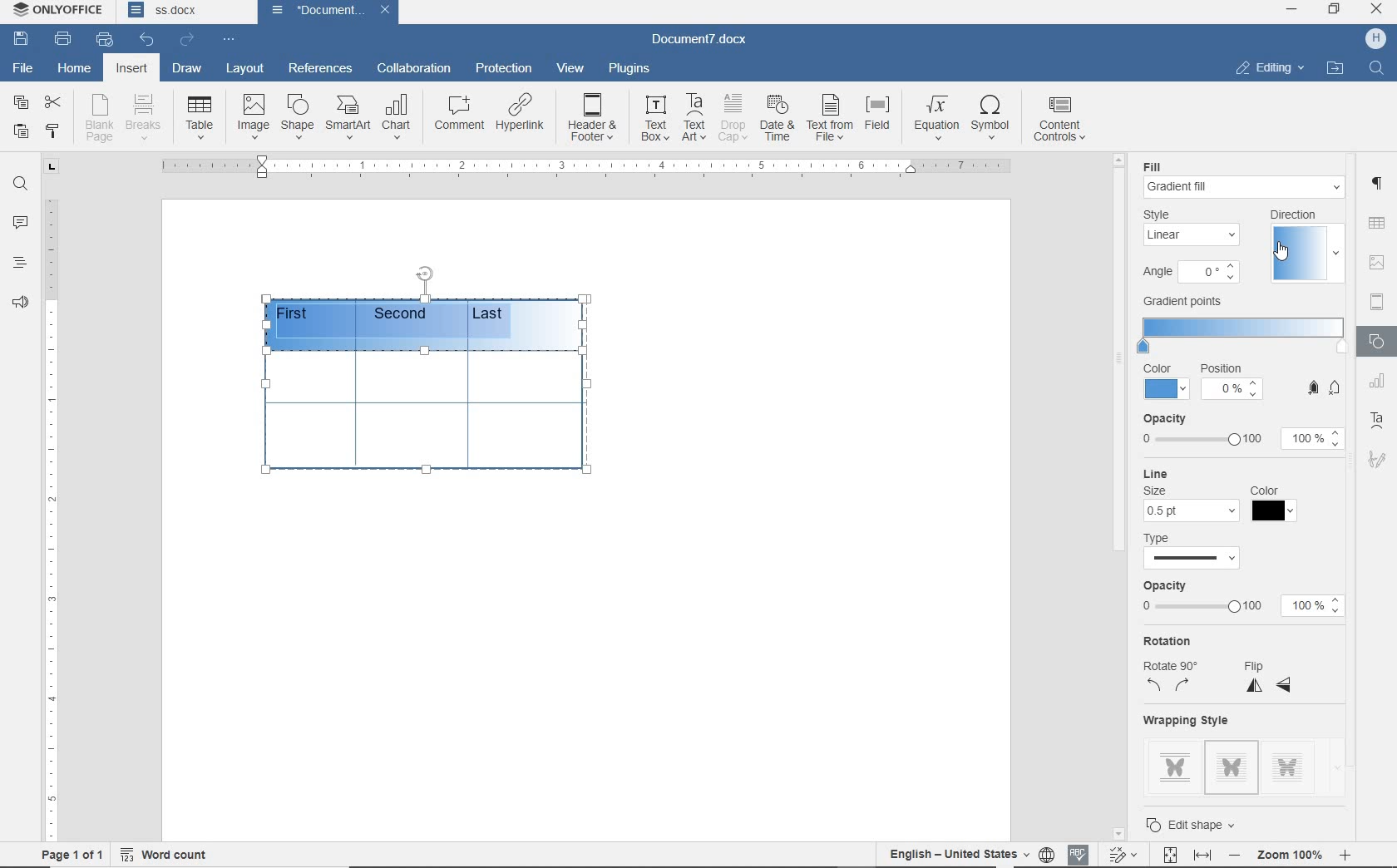 The width and height of the screenshot is (1397, 868). What do you see at coordinates (1313, 434) in the screenshot?
I see `100%` at bounding box center [1313, 434].